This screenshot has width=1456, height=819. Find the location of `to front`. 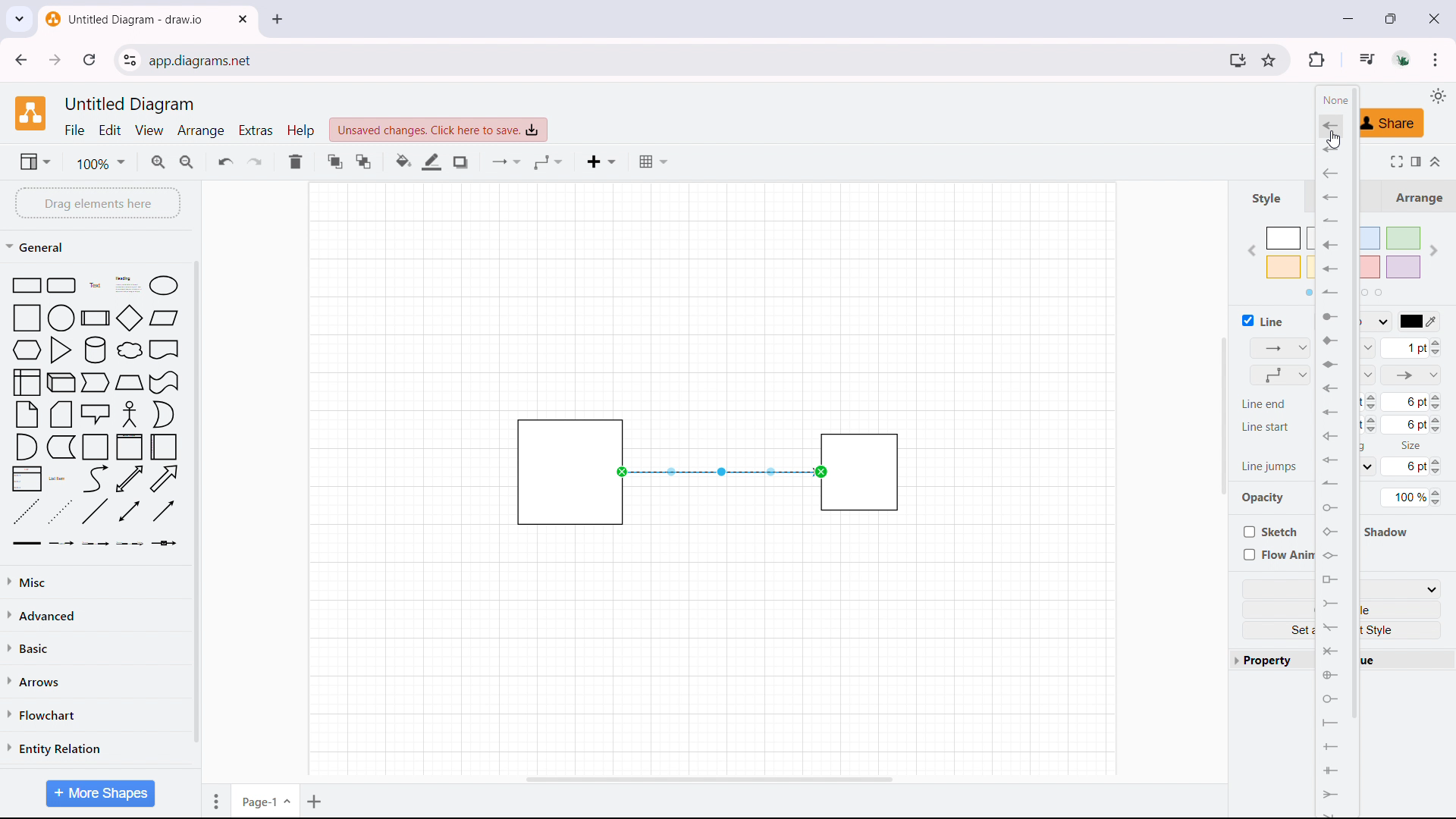

to front is located at coordinates (334, 161).